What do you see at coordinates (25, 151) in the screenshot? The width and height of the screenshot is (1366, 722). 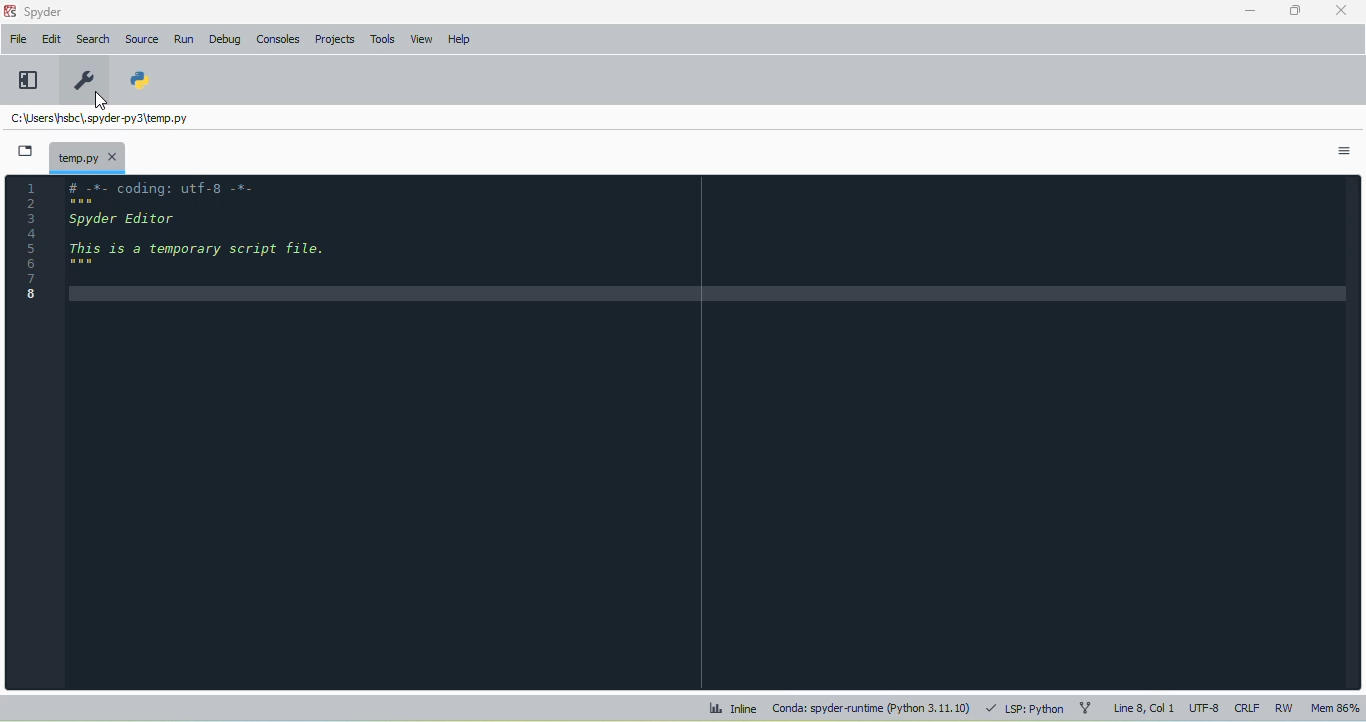 I see `browse tabs` at bounding box center [25, 151].